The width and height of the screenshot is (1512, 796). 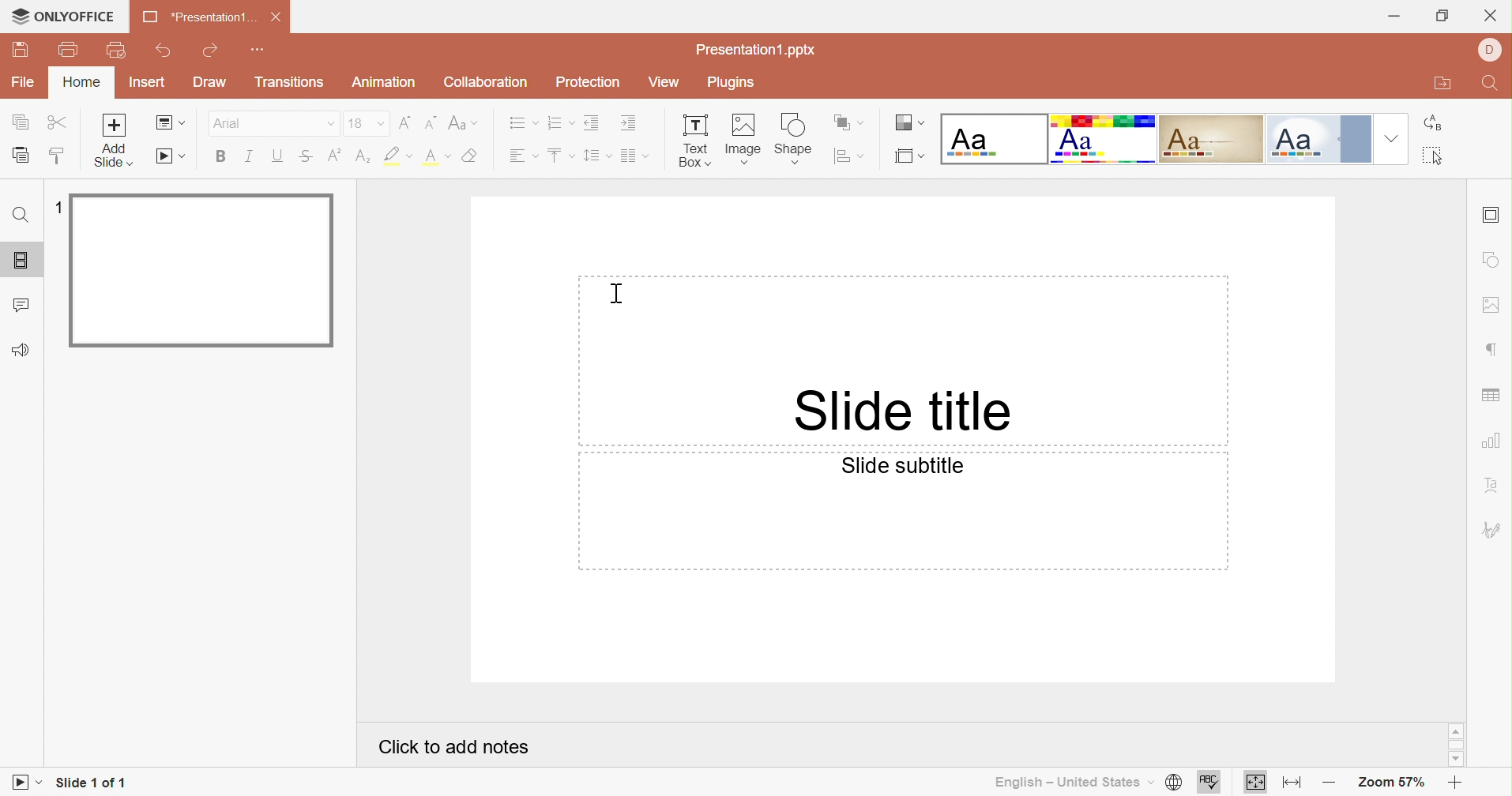 I want to click on Draw, so click(x=213, y=83).